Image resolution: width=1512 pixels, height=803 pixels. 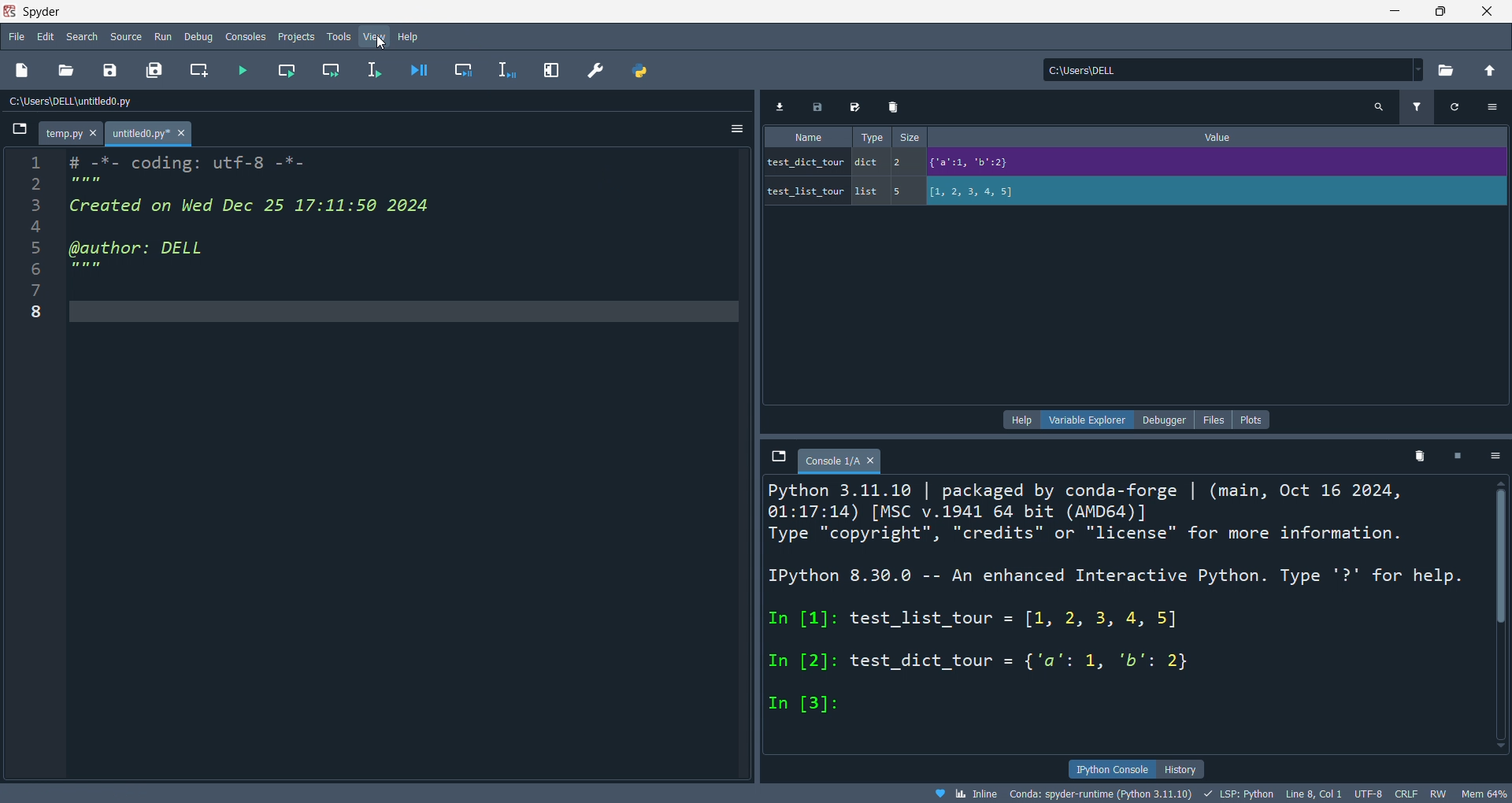 What do you see at coordinates (277, 222) in the screenshot?
I see `editor pane` at bounding box center [277, 222].